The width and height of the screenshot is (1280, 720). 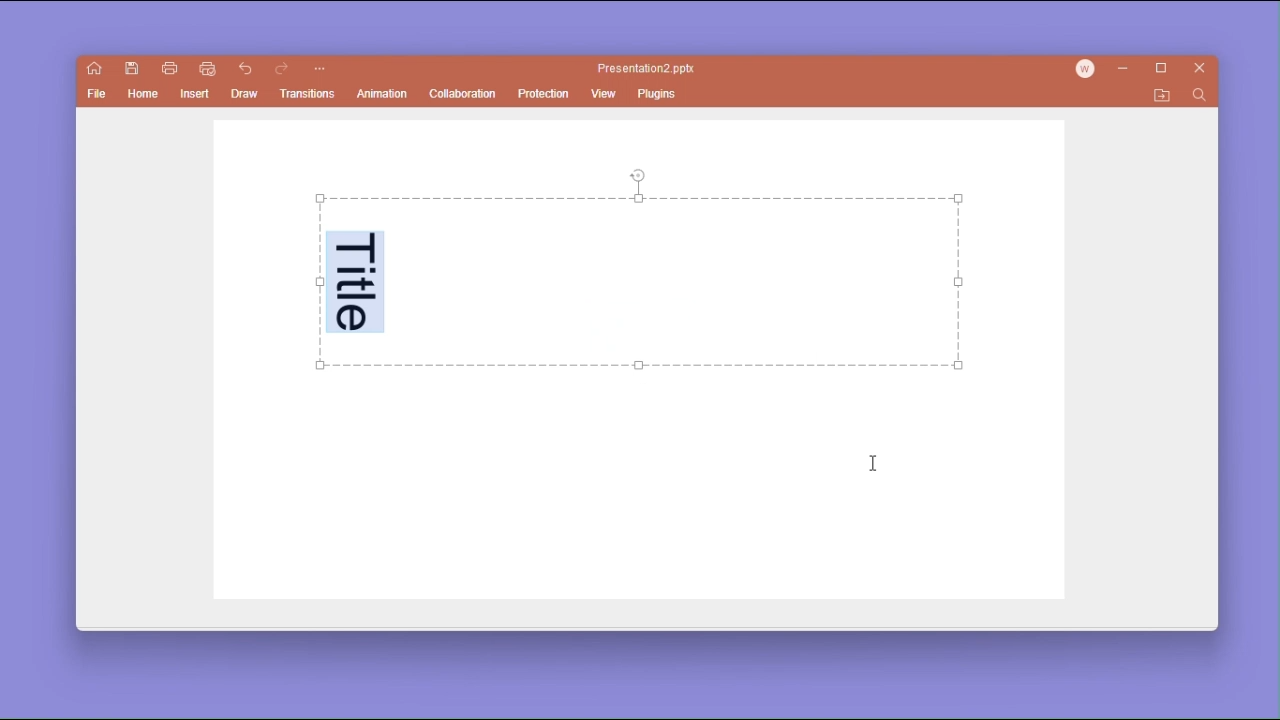 What do you see at coordinates (319, 70) in the screenshot?
I see `customize quick access toolbar` at bounding box center [319, 70].